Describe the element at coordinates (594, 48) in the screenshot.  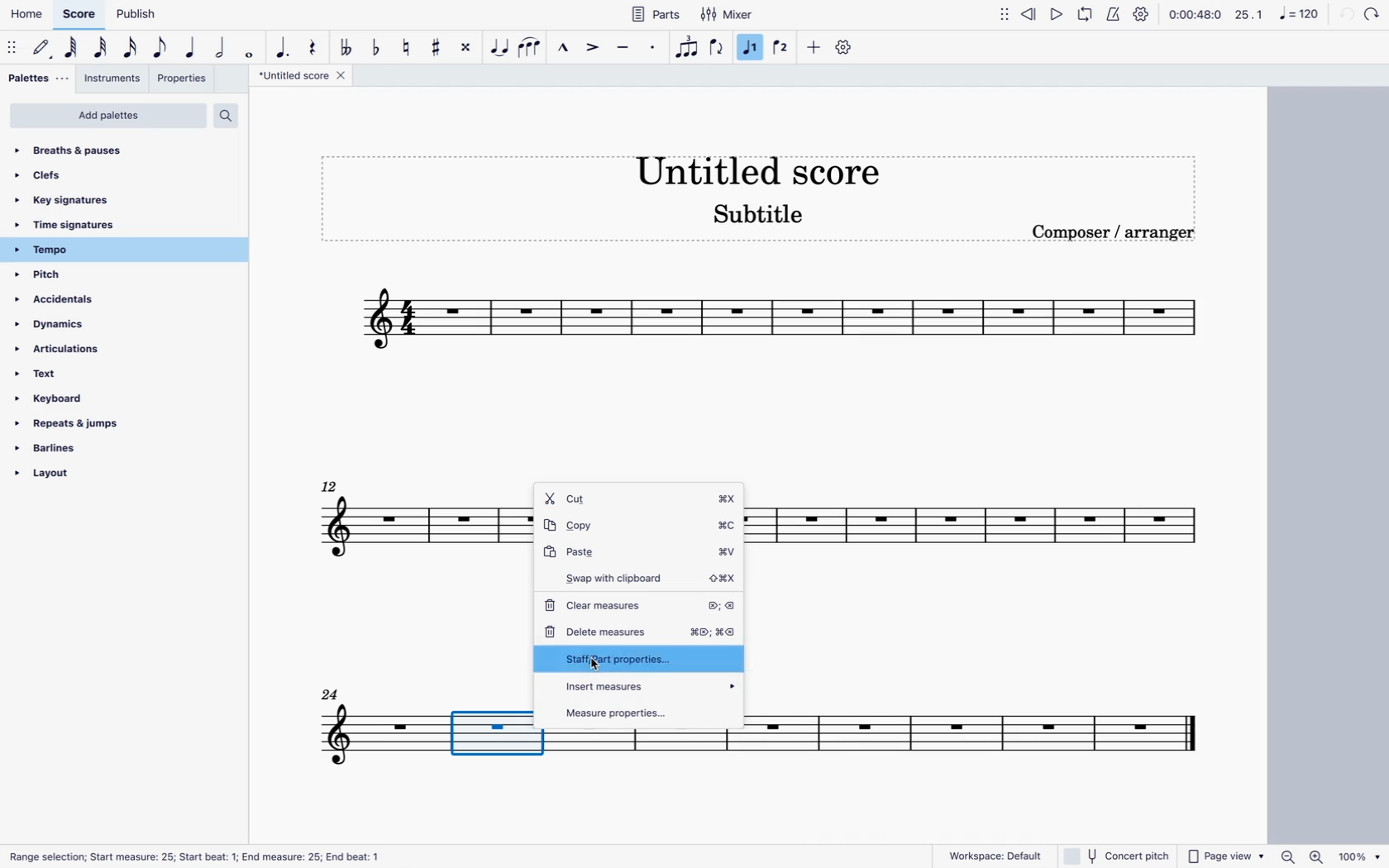
I see `accent` at that location.